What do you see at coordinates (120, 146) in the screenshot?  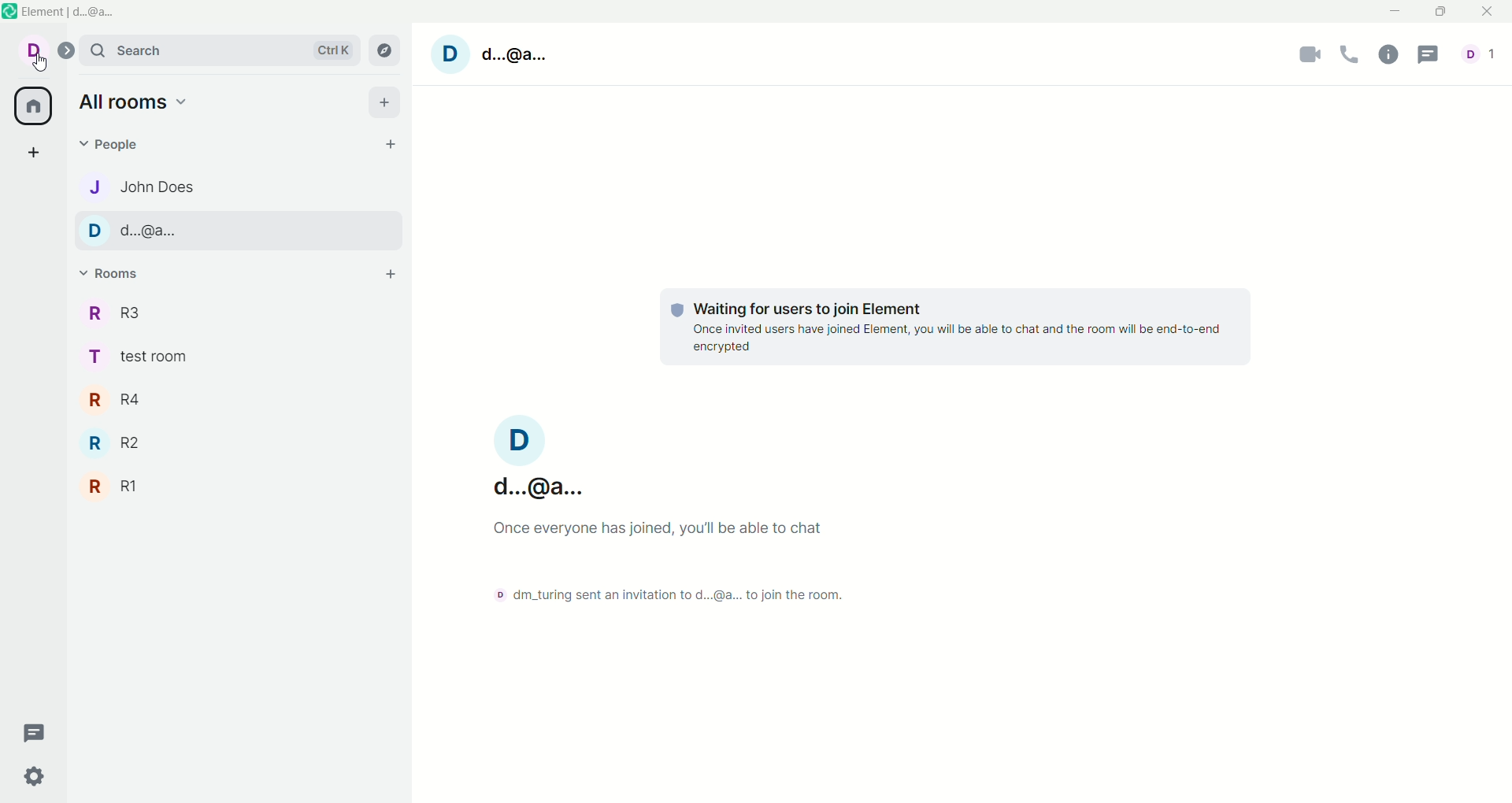 I see `people` at bounding box center [120, 146].